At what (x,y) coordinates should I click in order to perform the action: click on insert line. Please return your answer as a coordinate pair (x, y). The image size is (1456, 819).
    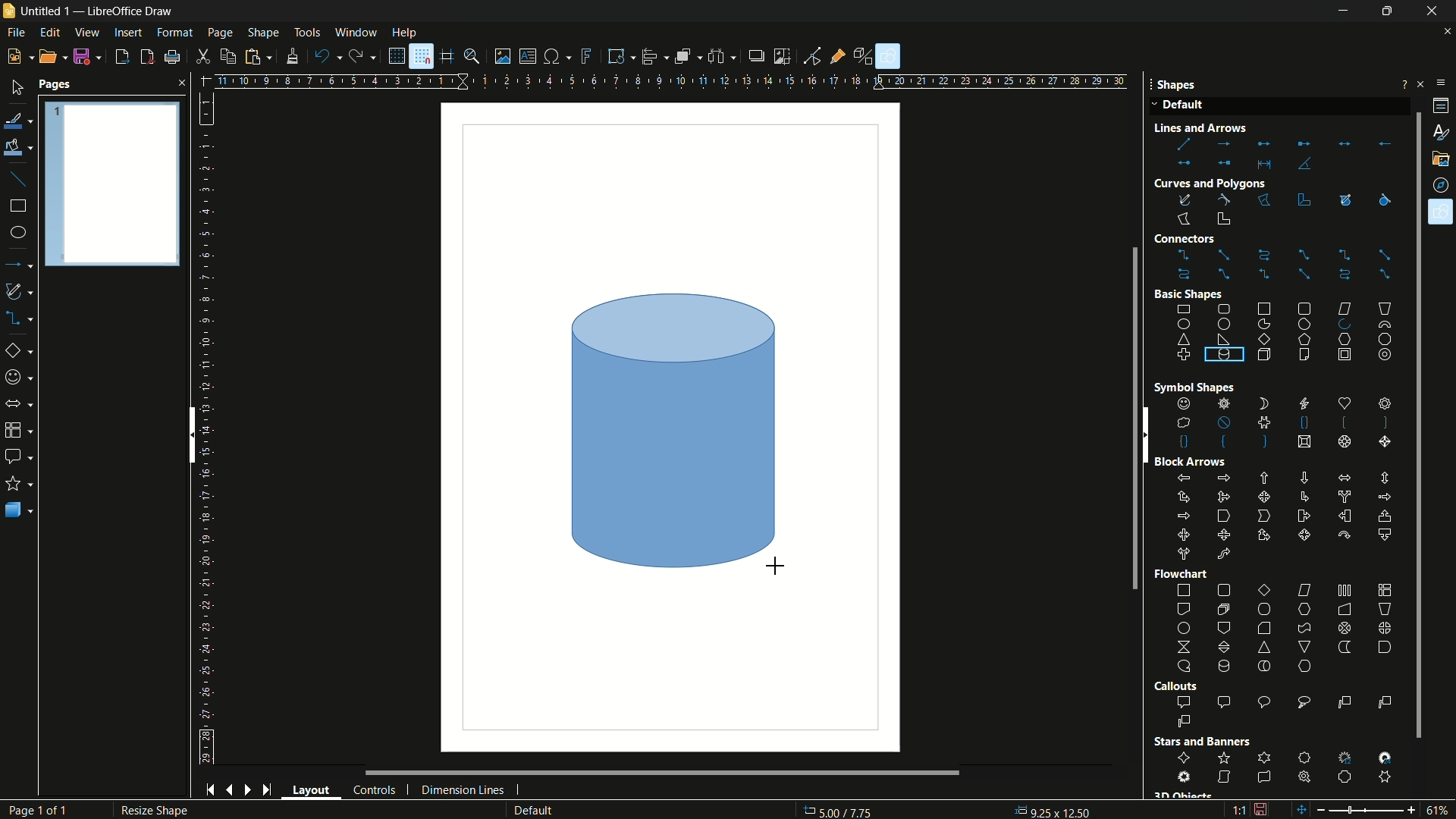
    Looking at the image, I should click on (17, 179).